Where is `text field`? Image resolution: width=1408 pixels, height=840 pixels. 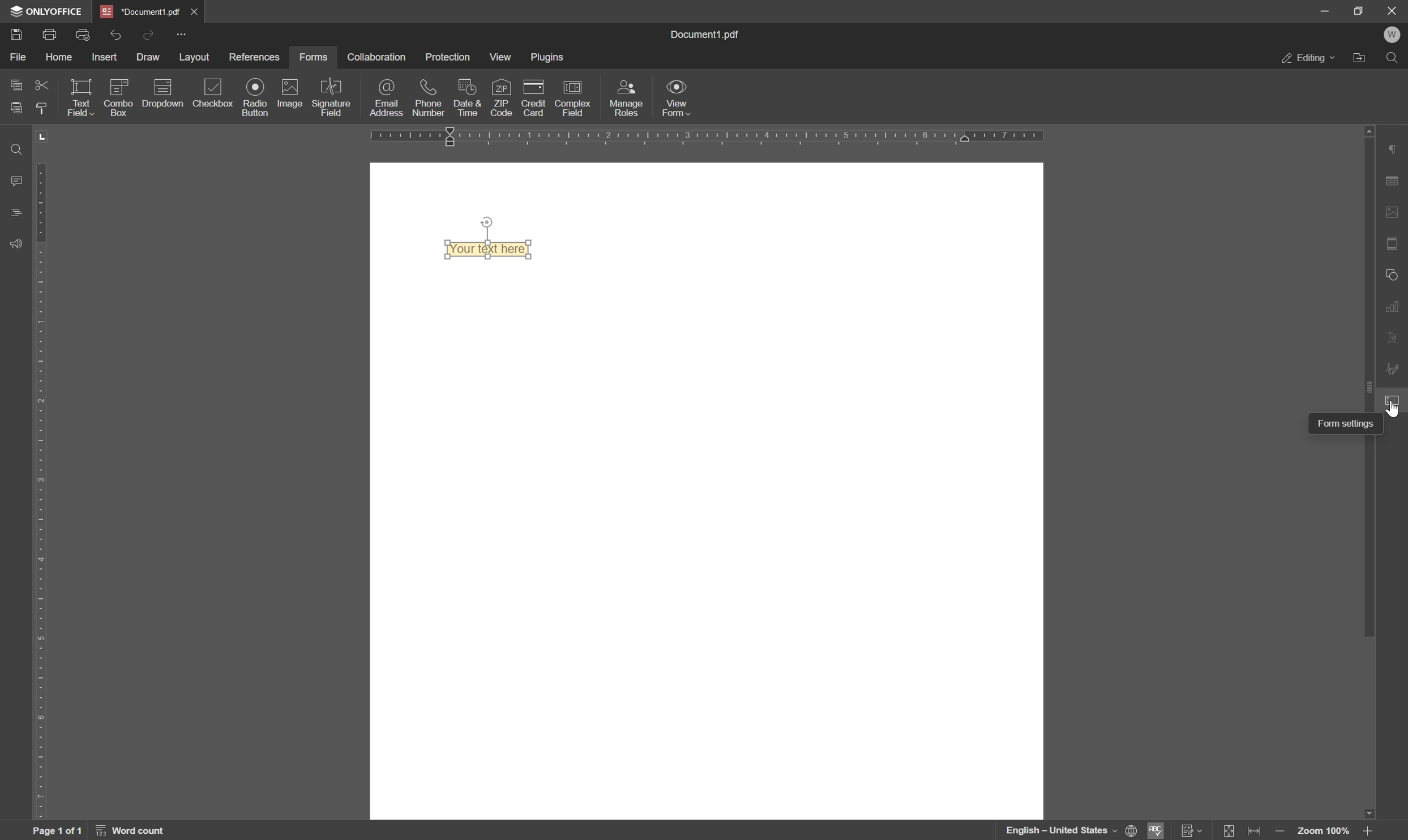 text field is located at coordinates (81, 98).